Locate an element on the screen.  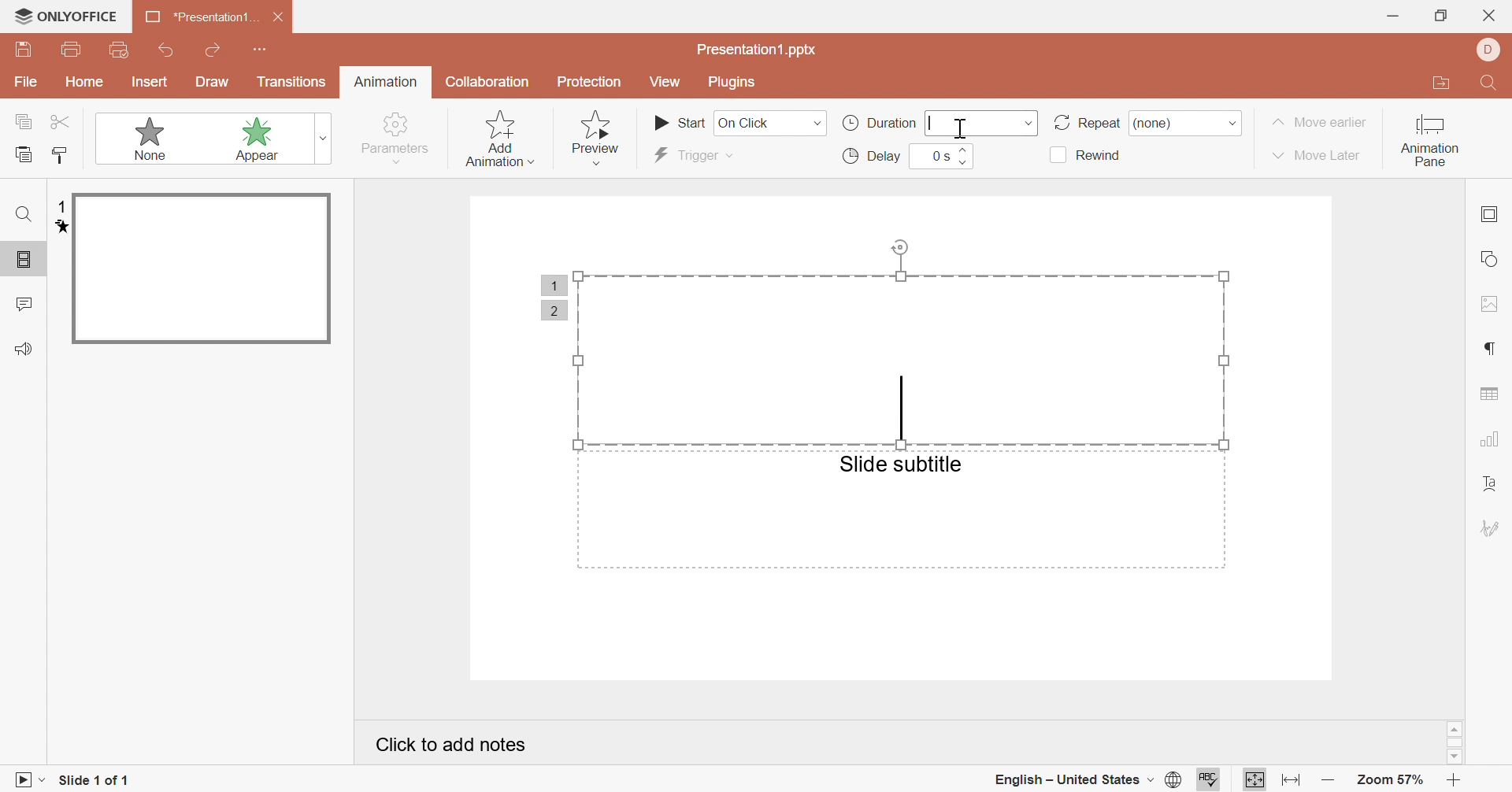
slider is located at coordinates (965, 156).